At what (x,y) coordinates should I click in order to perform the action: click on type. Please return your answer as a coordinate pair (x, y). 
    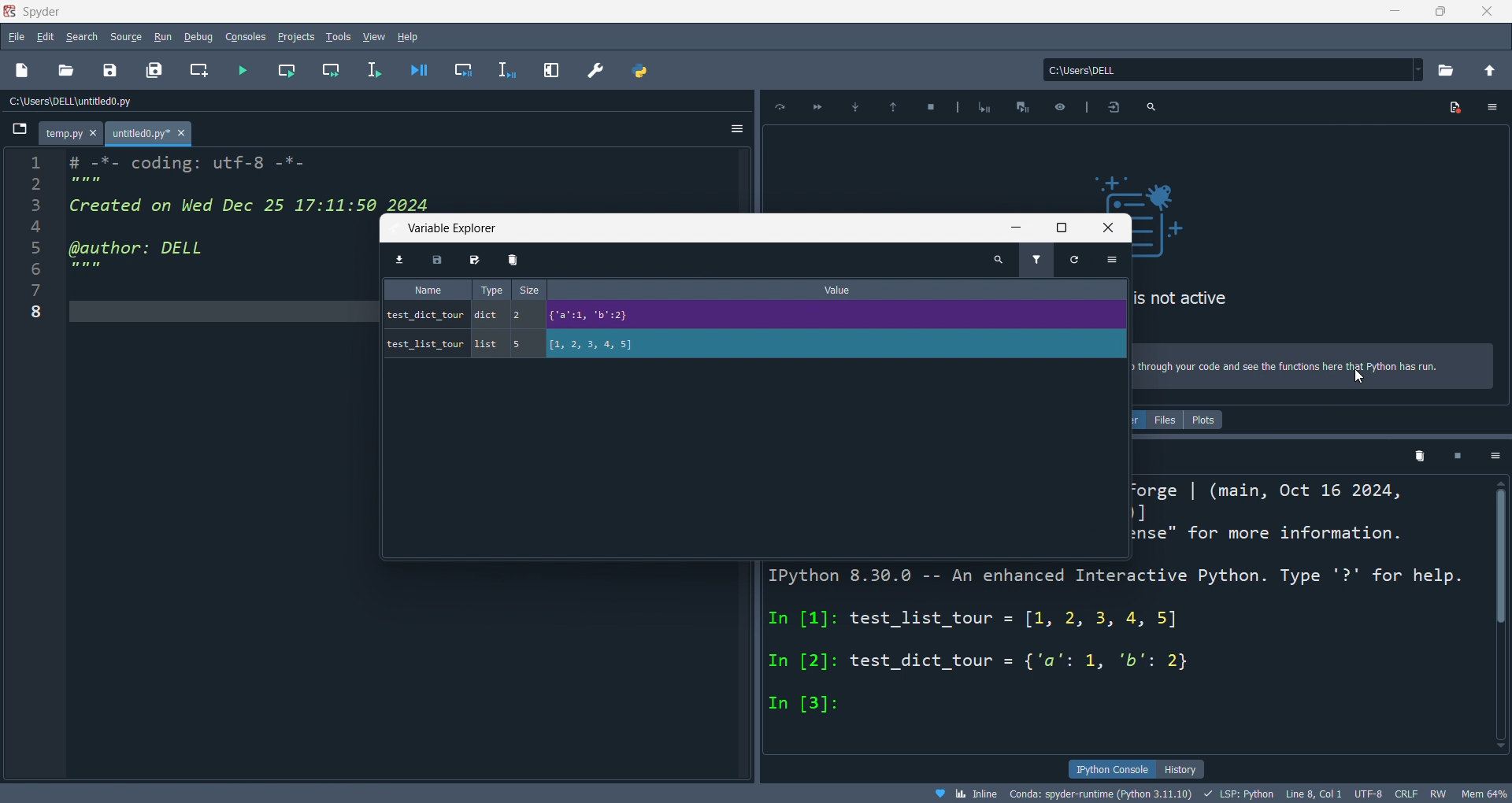
    Looking at the image, I should click on (491, 290).